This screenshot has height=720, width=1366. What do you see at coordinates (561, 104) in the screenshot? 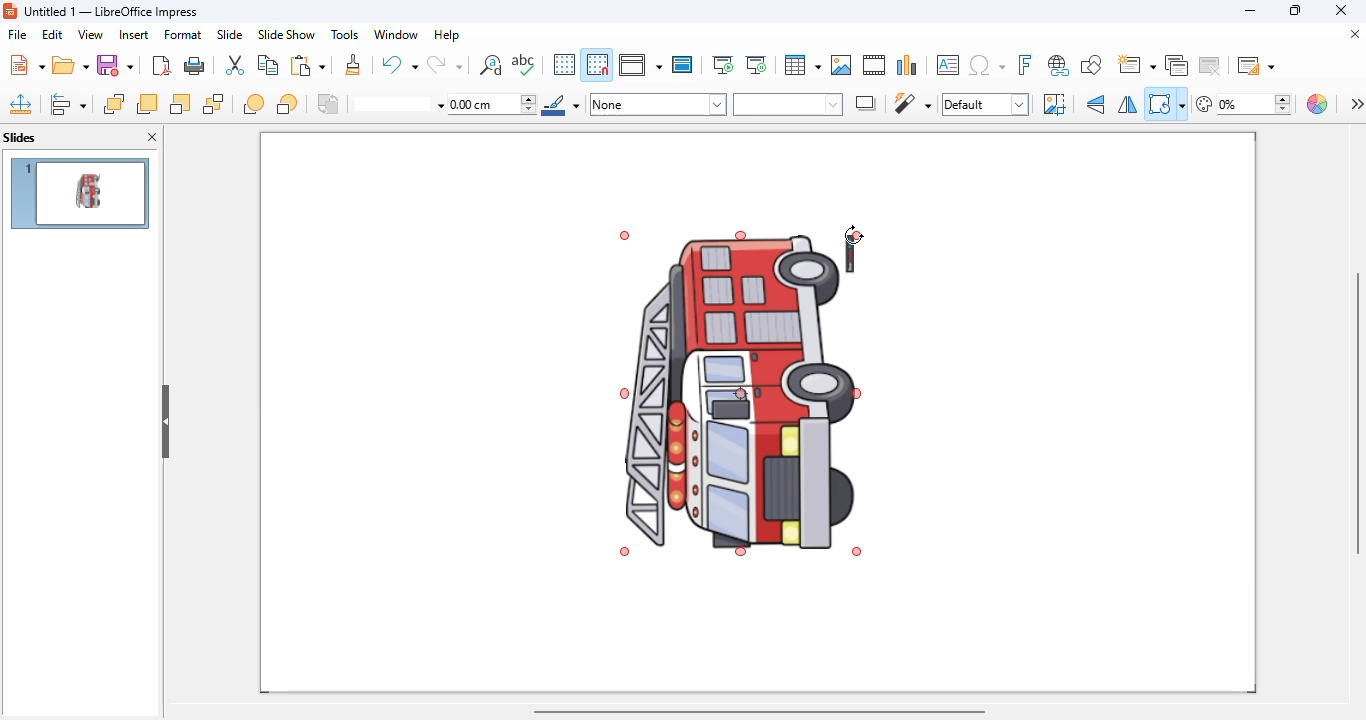
I see `line color` at bounding box center [561, 104].